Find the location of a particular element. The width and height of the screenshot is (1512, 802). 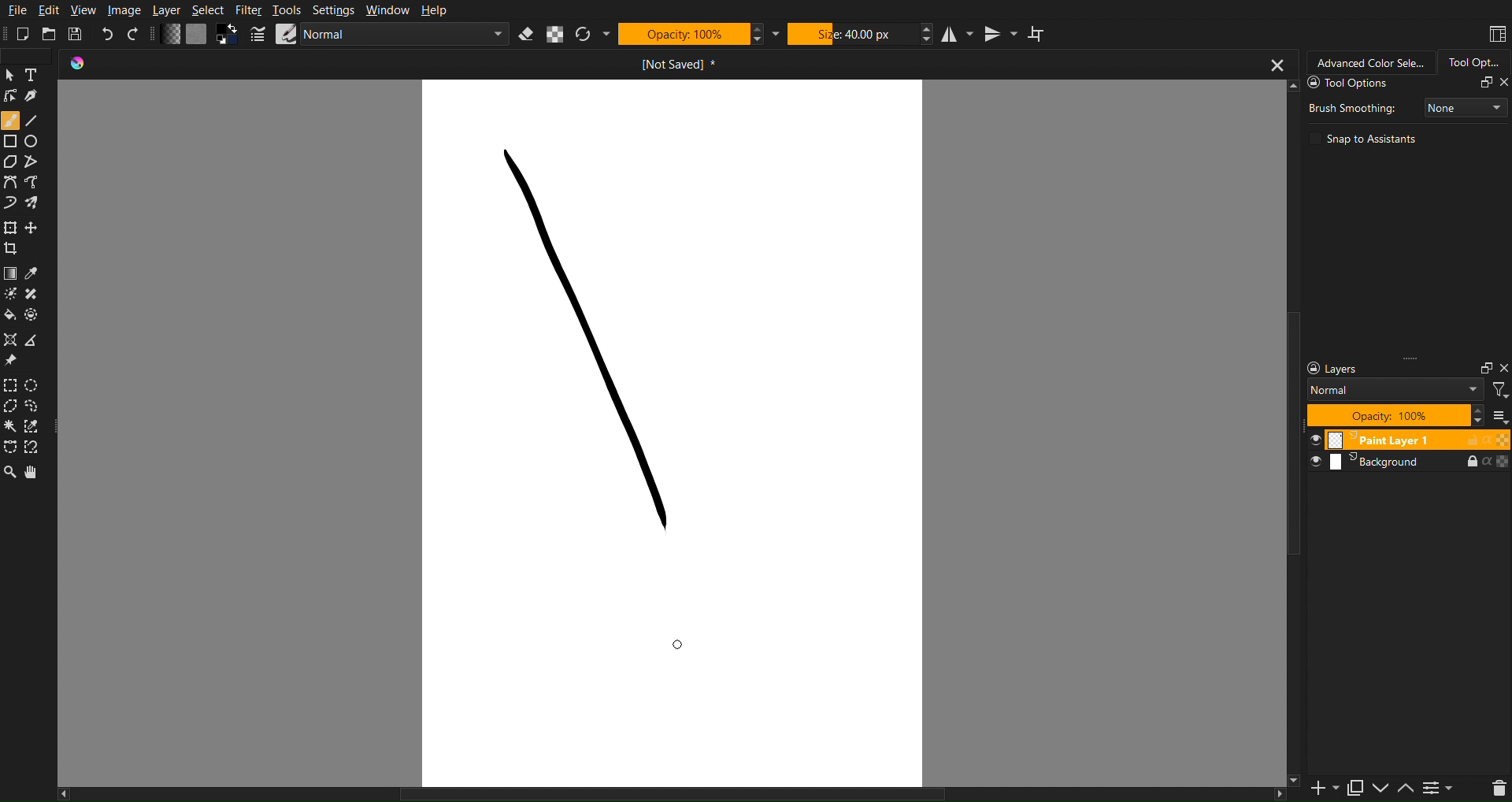

Blemish Fix is located at coordinates (38, 293).